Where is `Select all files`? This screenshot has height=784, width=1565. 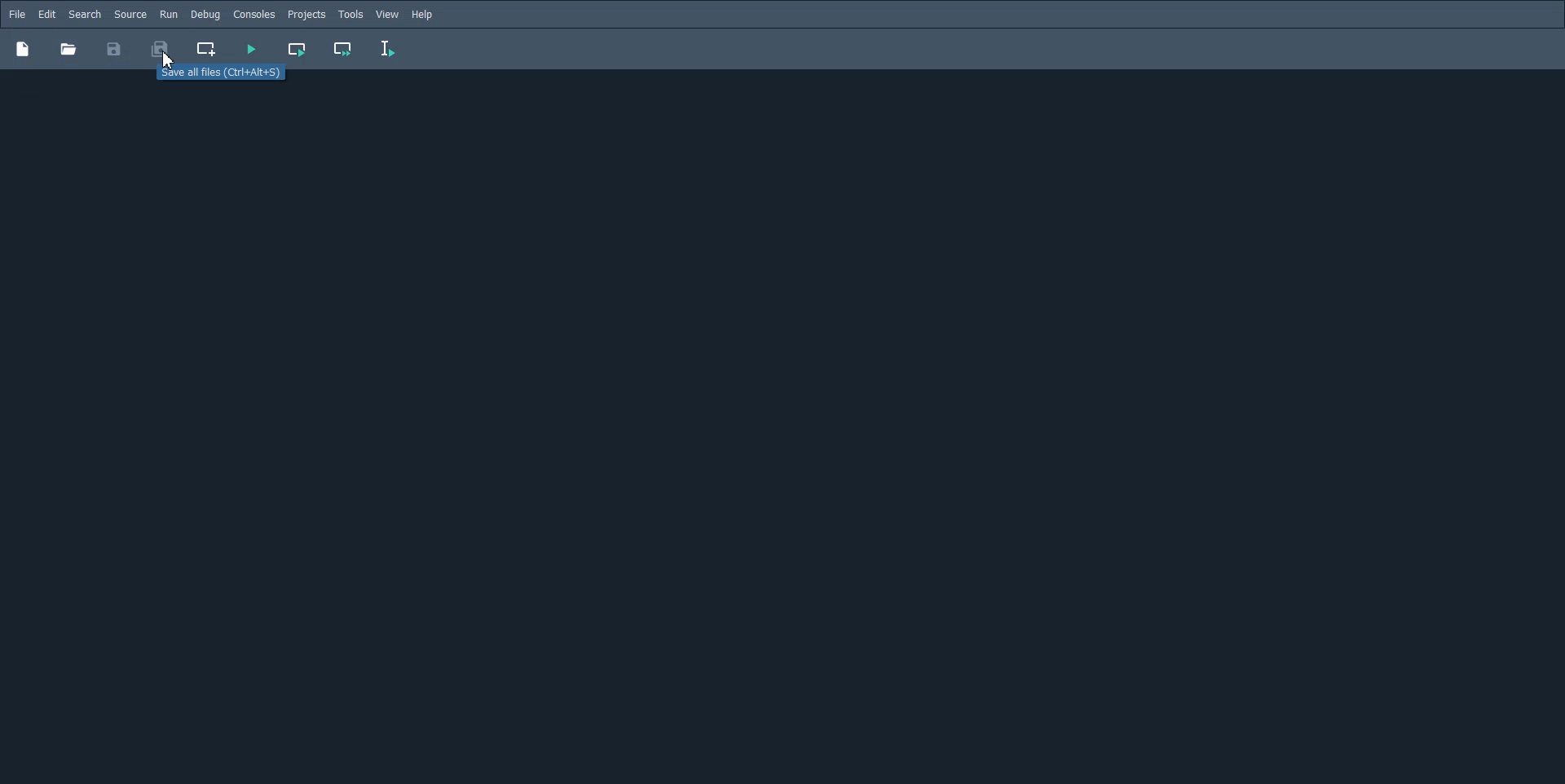
Select all files is located at coordinates (222, 74).